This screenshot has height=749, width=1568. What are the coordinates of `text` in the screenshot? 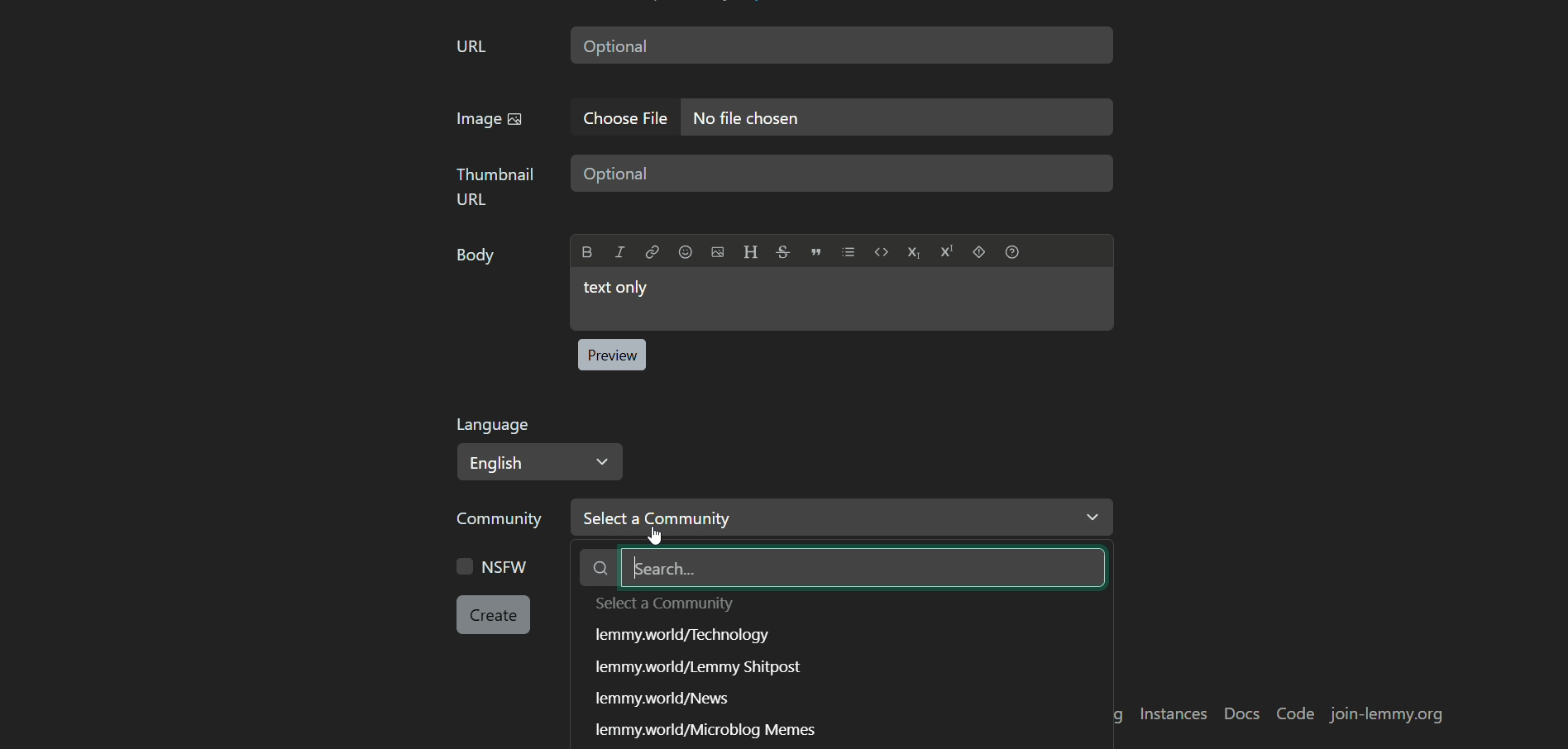 It's located at (681, 636).